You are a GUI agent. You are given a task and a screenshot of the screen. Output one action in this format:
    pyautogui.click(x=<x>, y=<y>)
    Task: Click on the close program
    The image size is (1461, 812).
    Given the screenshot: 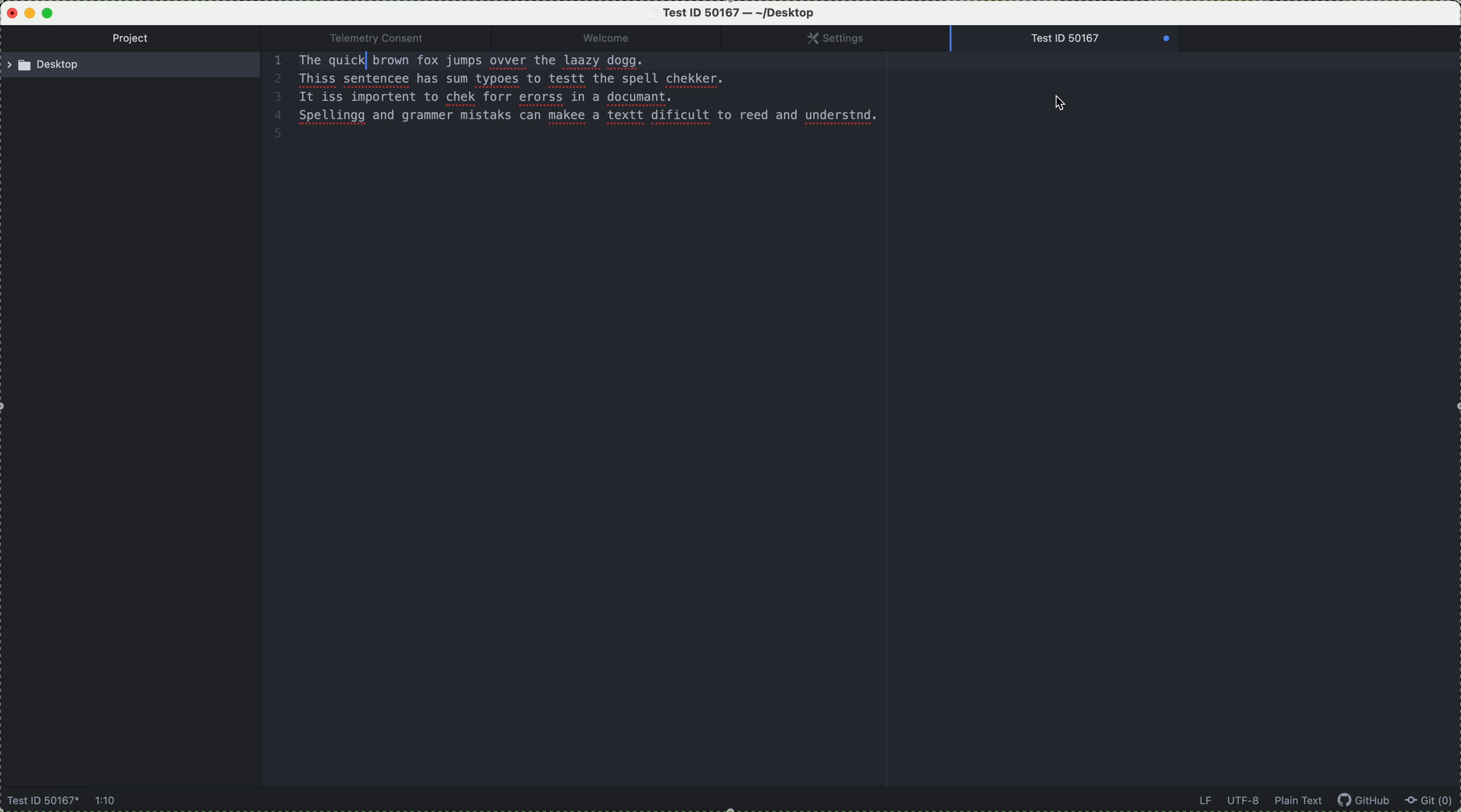 What is the action you would take?
    pyautogui.click(x=9, y=11)
    